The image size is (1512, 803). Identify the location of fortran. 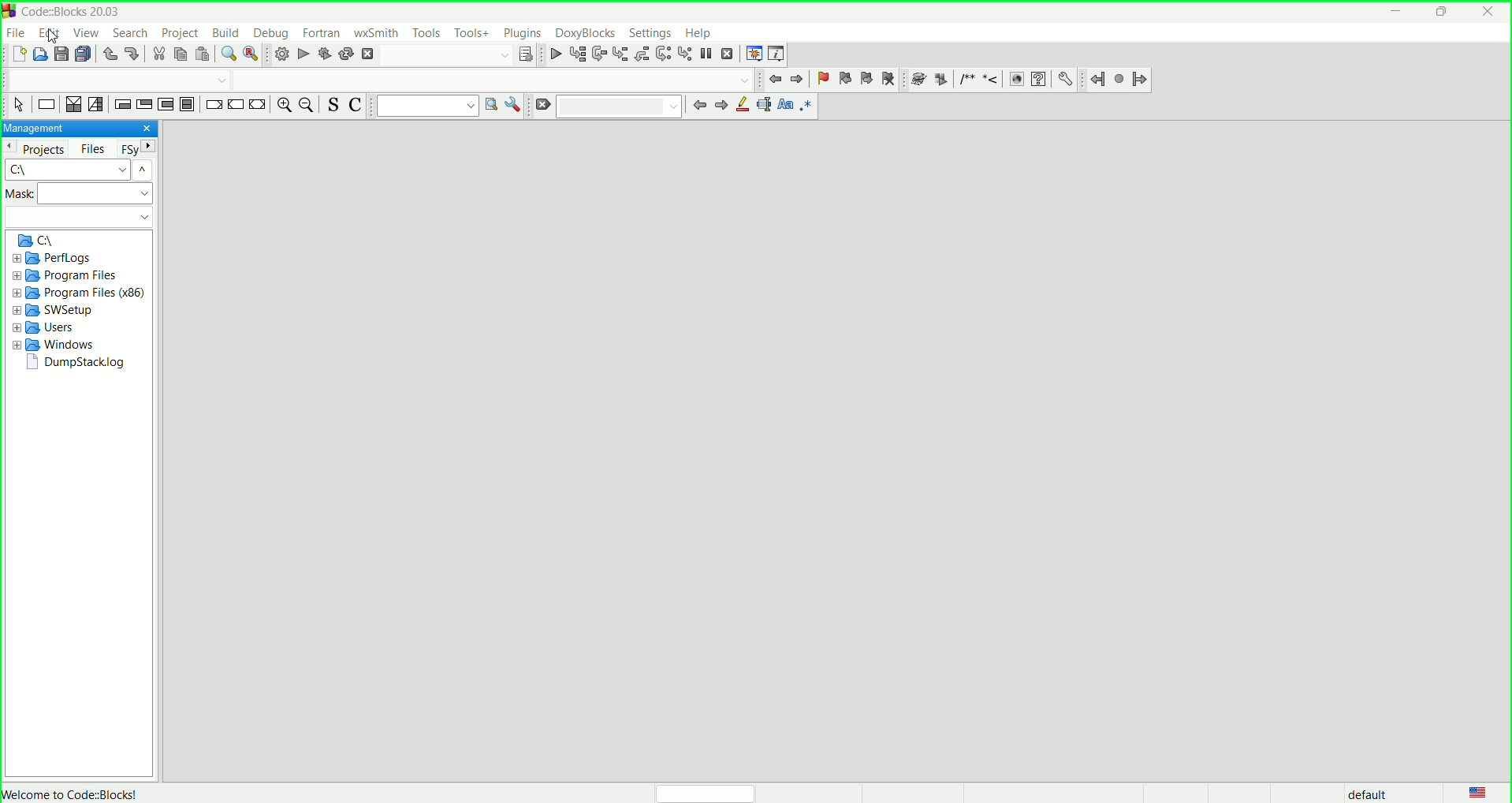
(322, 32).